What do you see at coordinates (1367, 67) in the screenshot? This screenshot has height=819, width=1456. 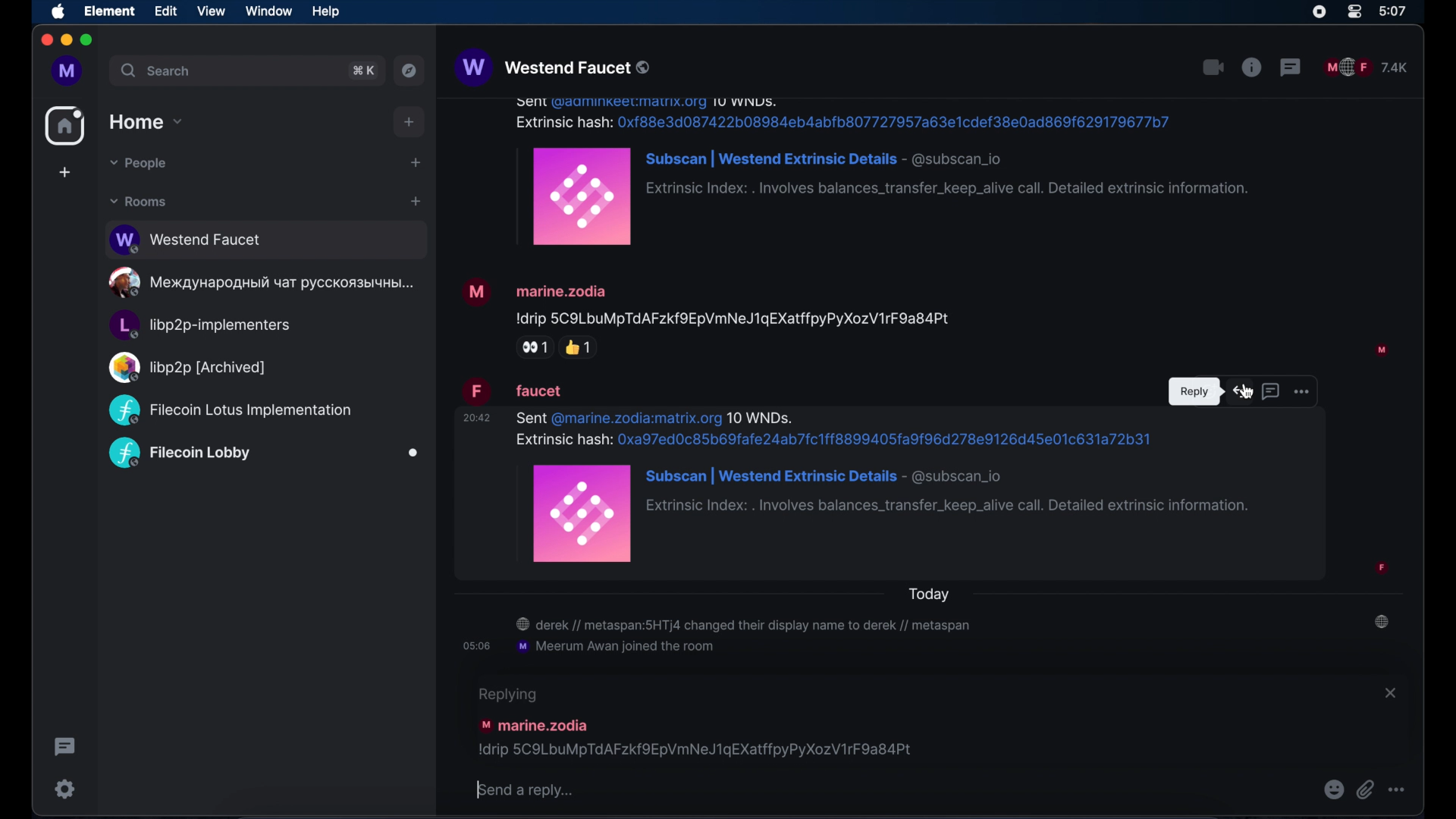 I see `public room participants` at bounding box center [1367, 67].